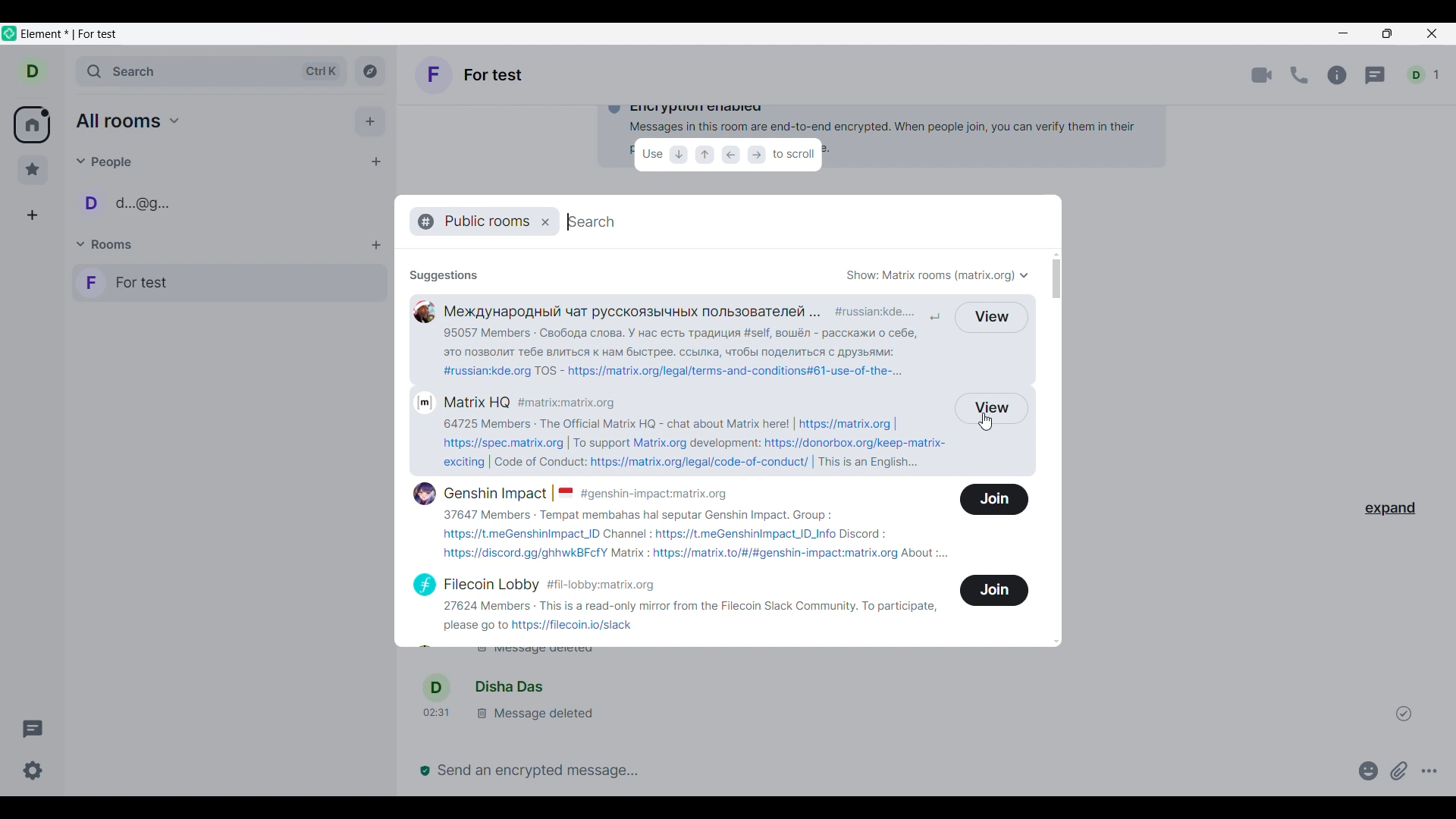  What do you see at coordinates (994, 409) in the screenshot?
I see `view respective room` at bounding box center [994, 409].